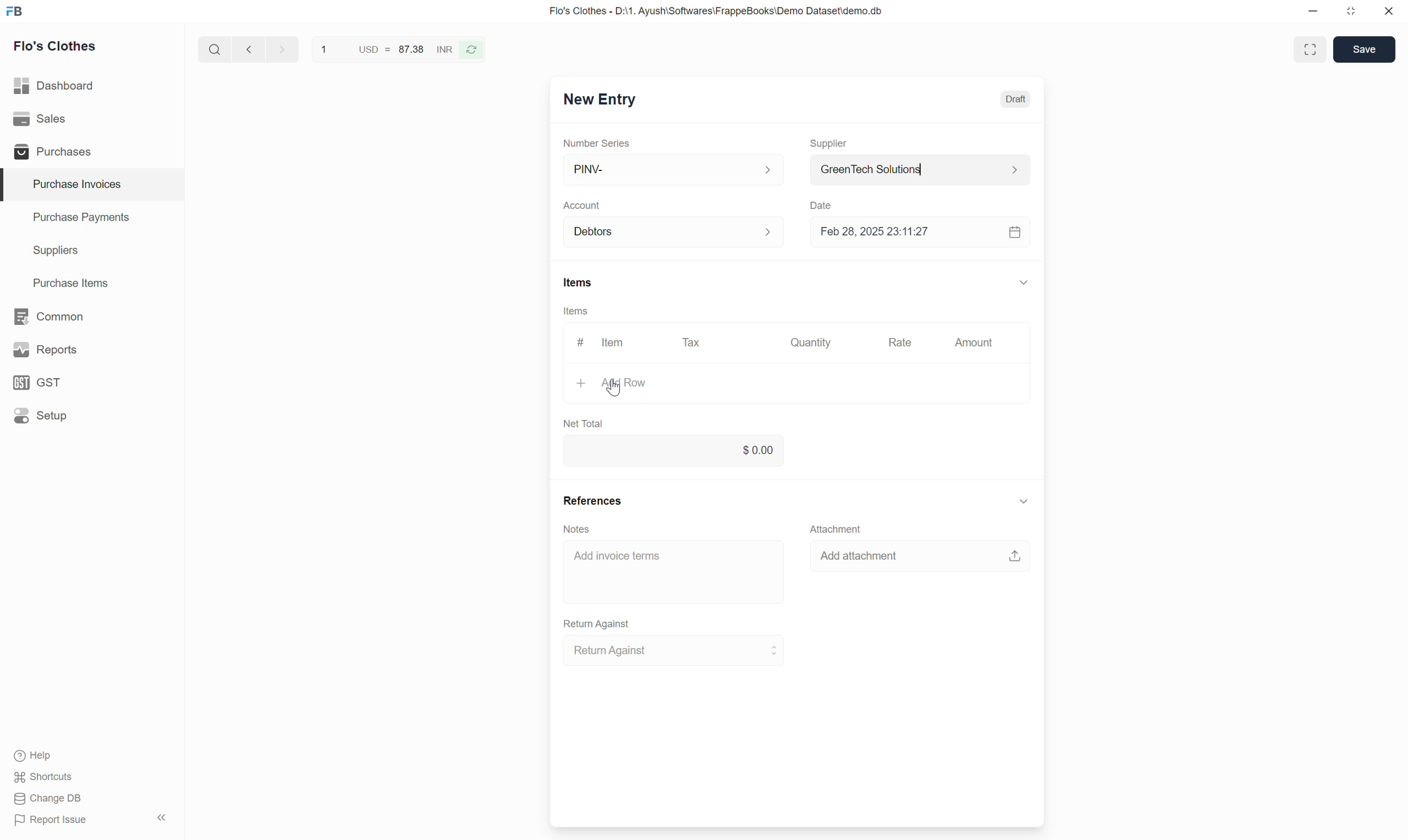  Describe the element at coordinates (1024, 501) in the screenshot. I see `Collapse` at that location.